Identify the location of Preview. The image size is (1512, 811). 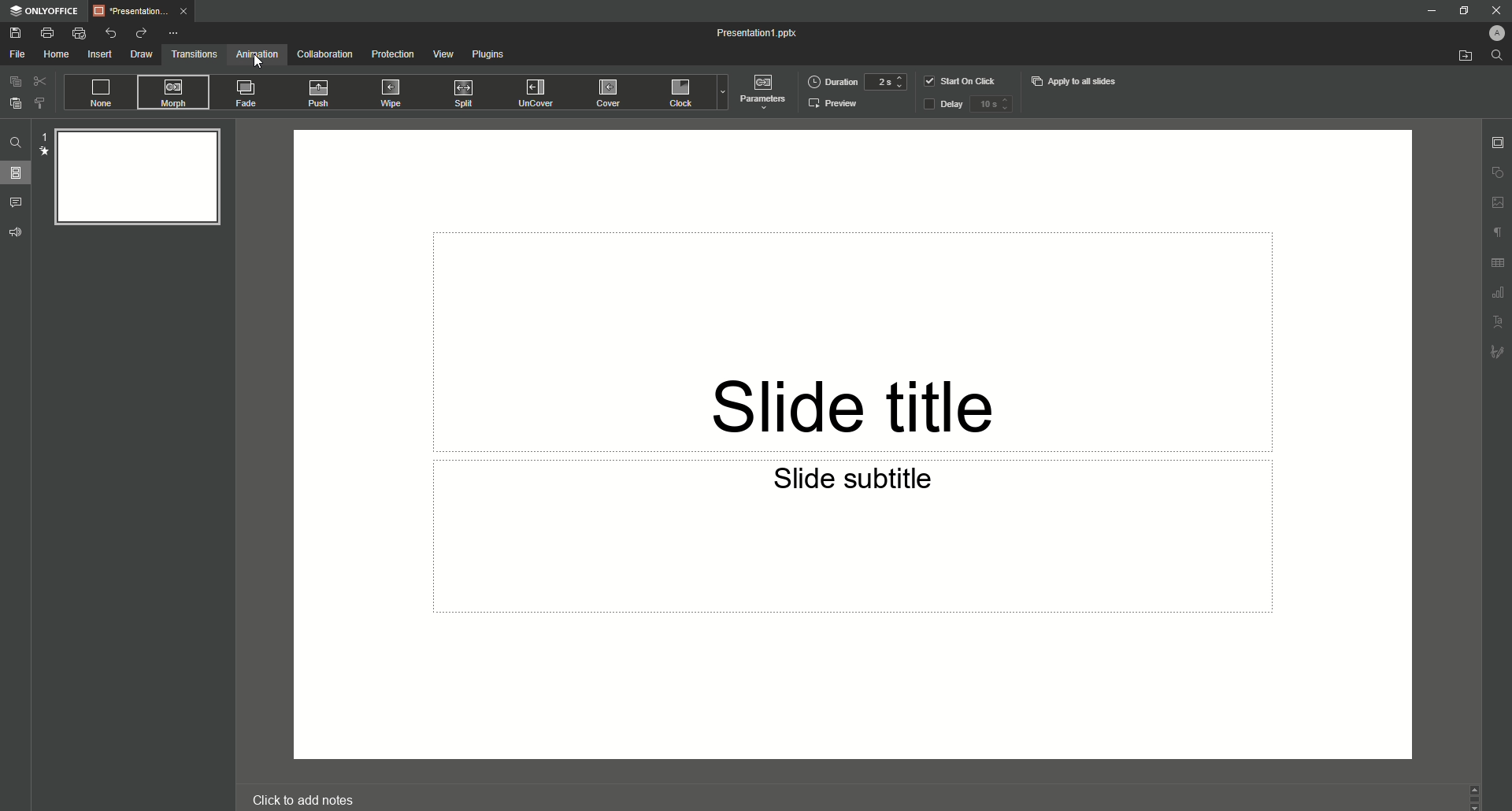
(835, 105).